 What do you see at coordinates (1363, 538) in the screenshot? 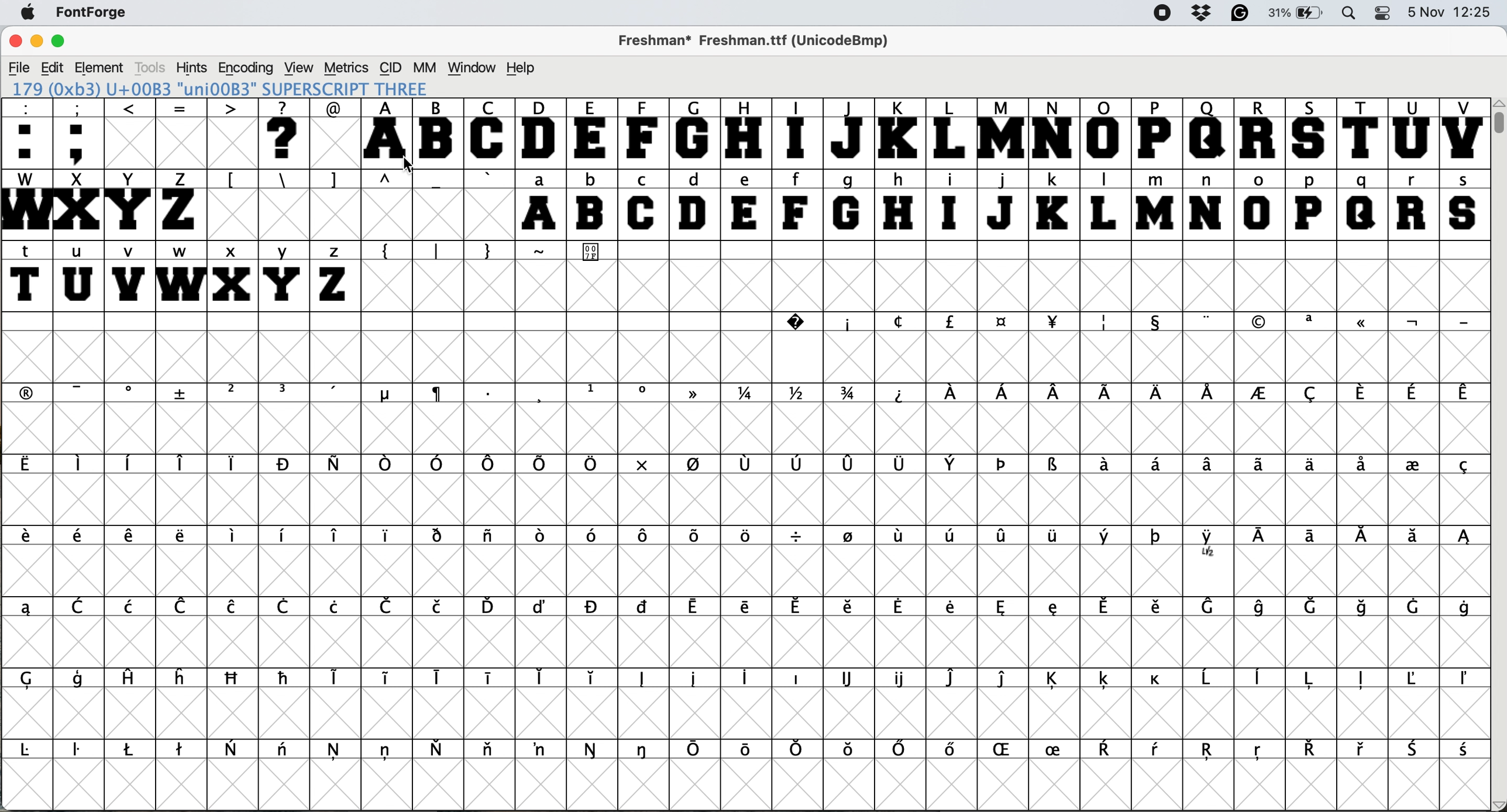
I see `symbol` at bounding box center [1363, 538].